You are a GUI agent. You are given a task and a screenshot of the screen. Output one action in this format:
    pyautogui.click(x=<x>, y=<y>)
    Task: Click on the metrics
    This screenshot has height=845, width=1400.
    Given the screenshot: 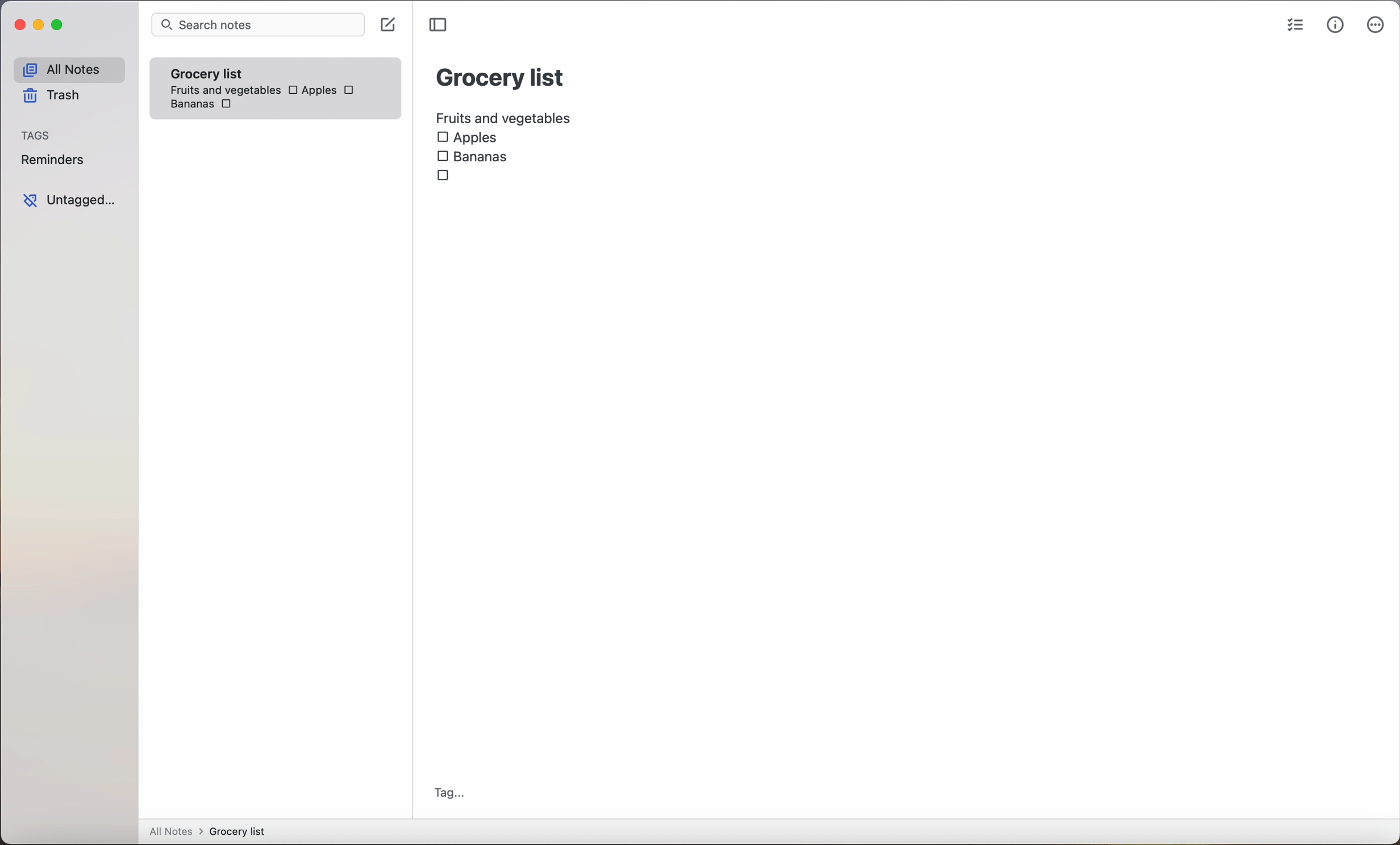 What is the action you would take?
    pyautogui.click(x=1335, y=26)
    